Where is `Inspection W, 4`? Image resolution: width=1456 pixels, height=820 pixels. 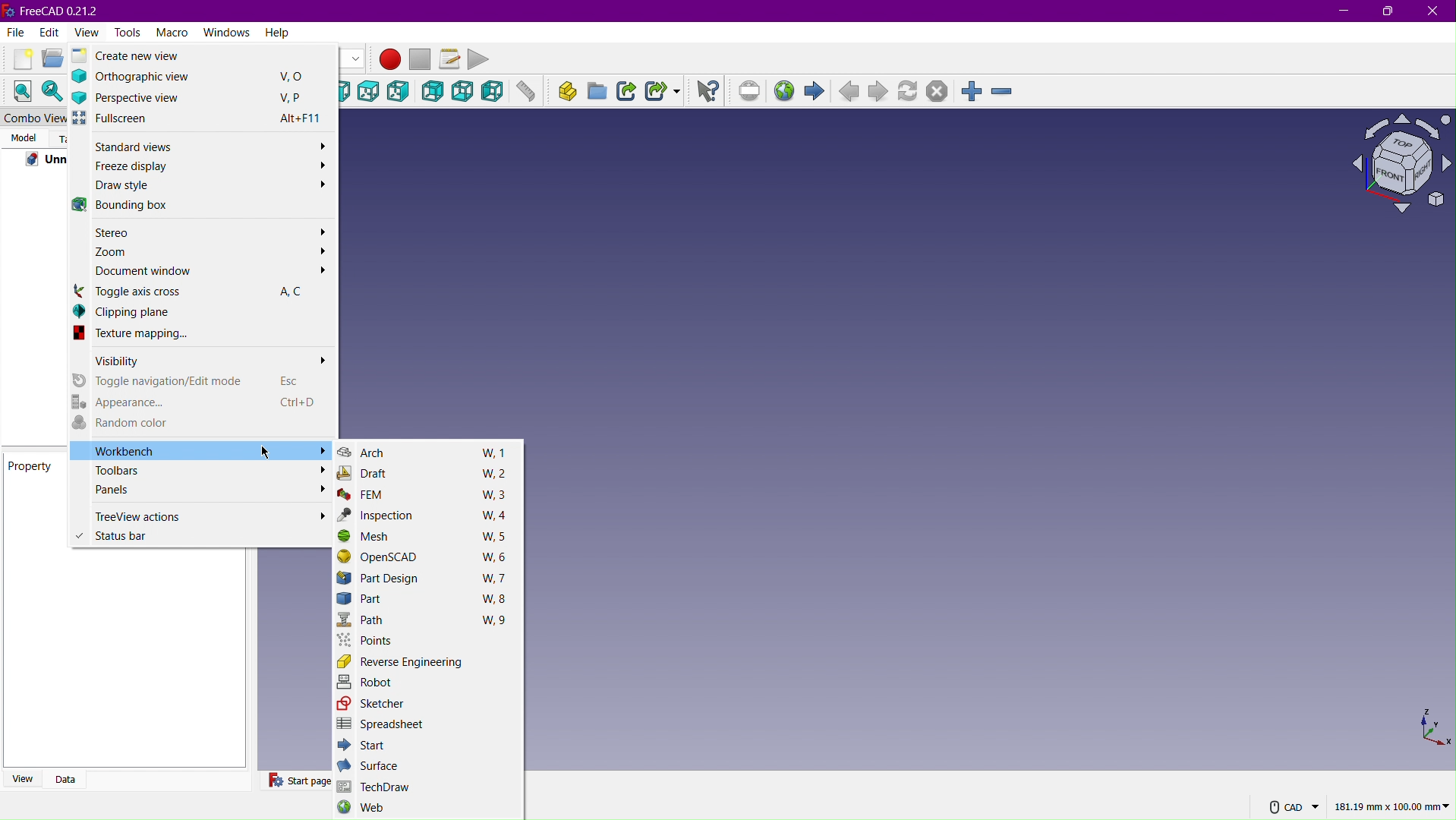
Inspection W, 4 is located at coordinates (430, 518).